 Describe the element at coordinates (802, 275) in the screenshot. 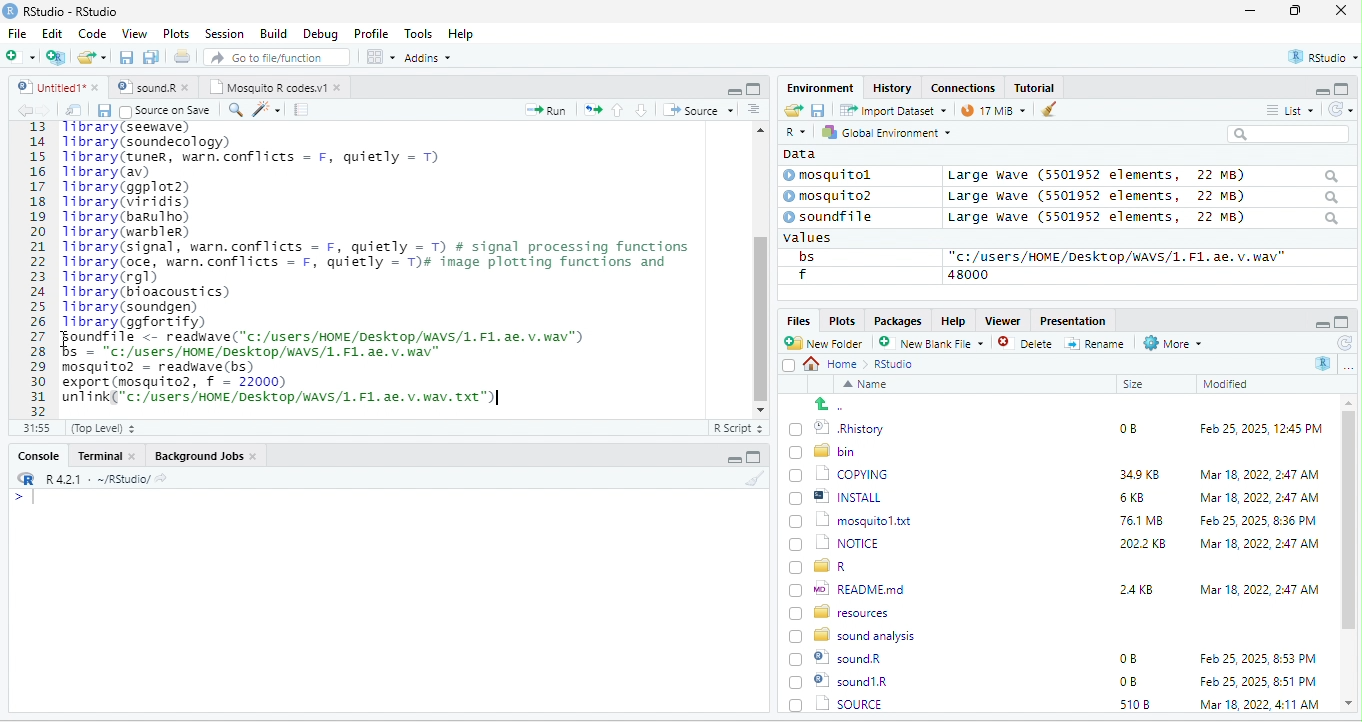

I see `f` at that location.